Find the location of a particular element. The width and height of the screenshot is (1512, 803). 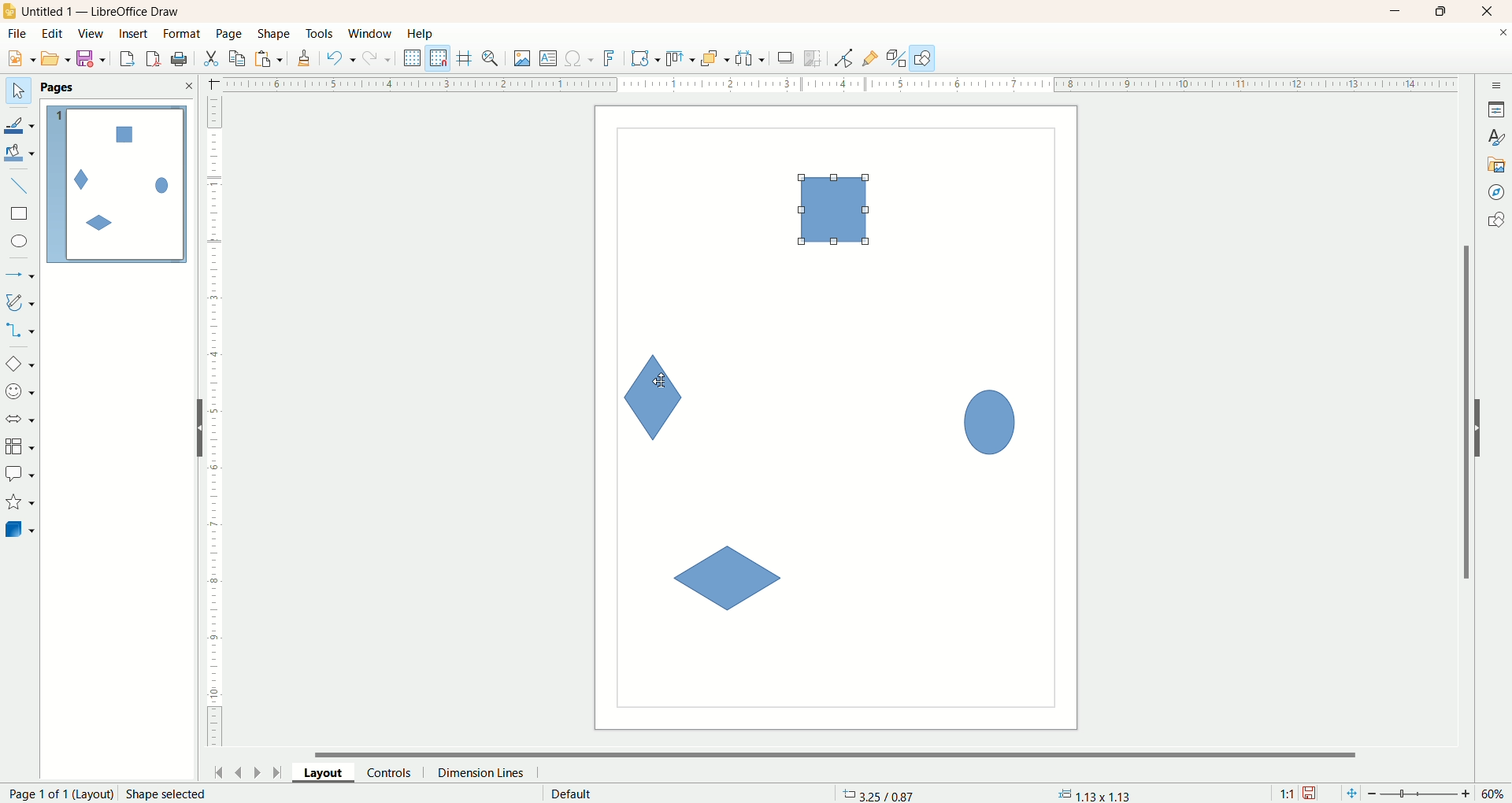

Shape selected is located at coordinates (167, 794).